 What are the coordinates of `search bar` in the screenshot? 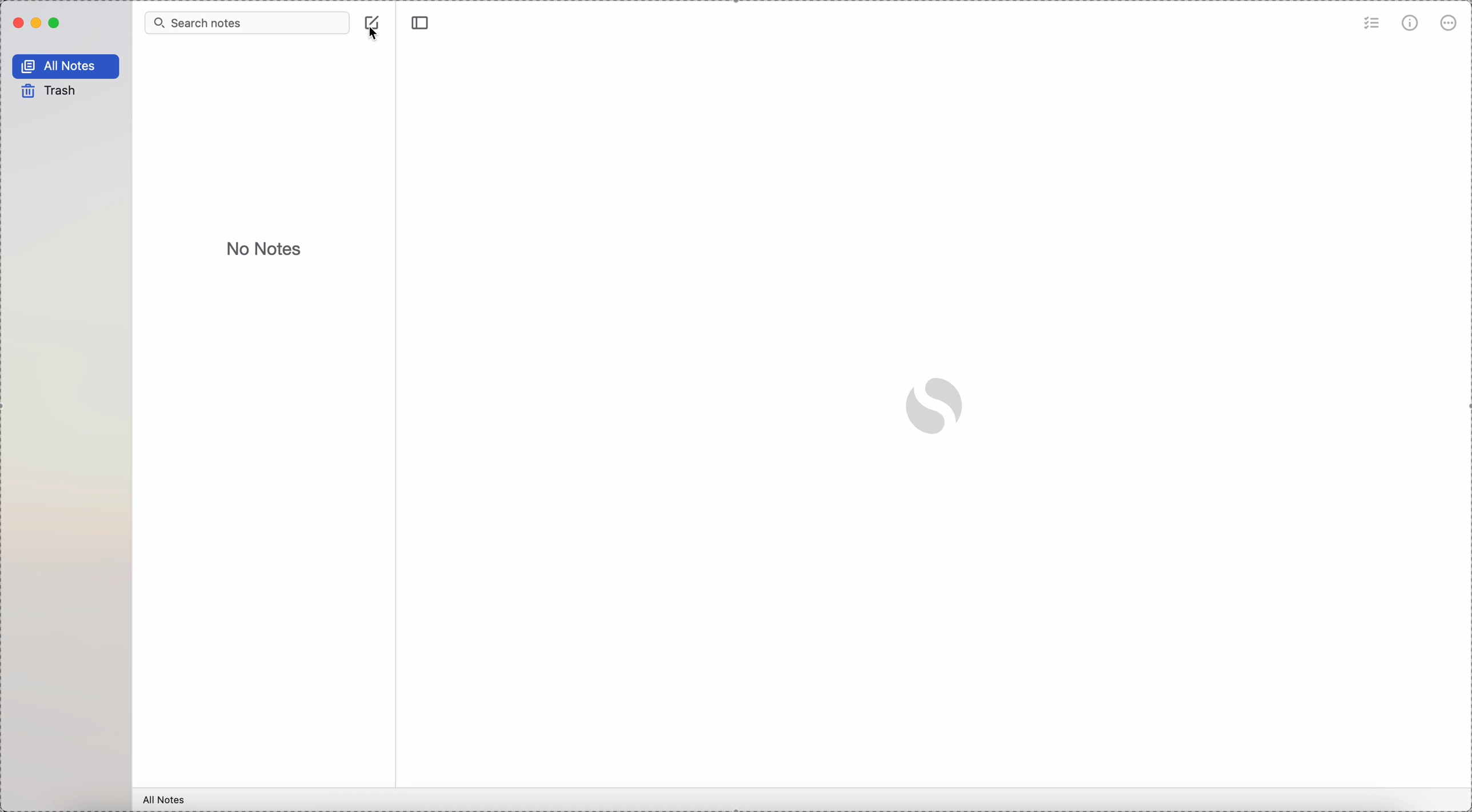 It's located at (246, 24).